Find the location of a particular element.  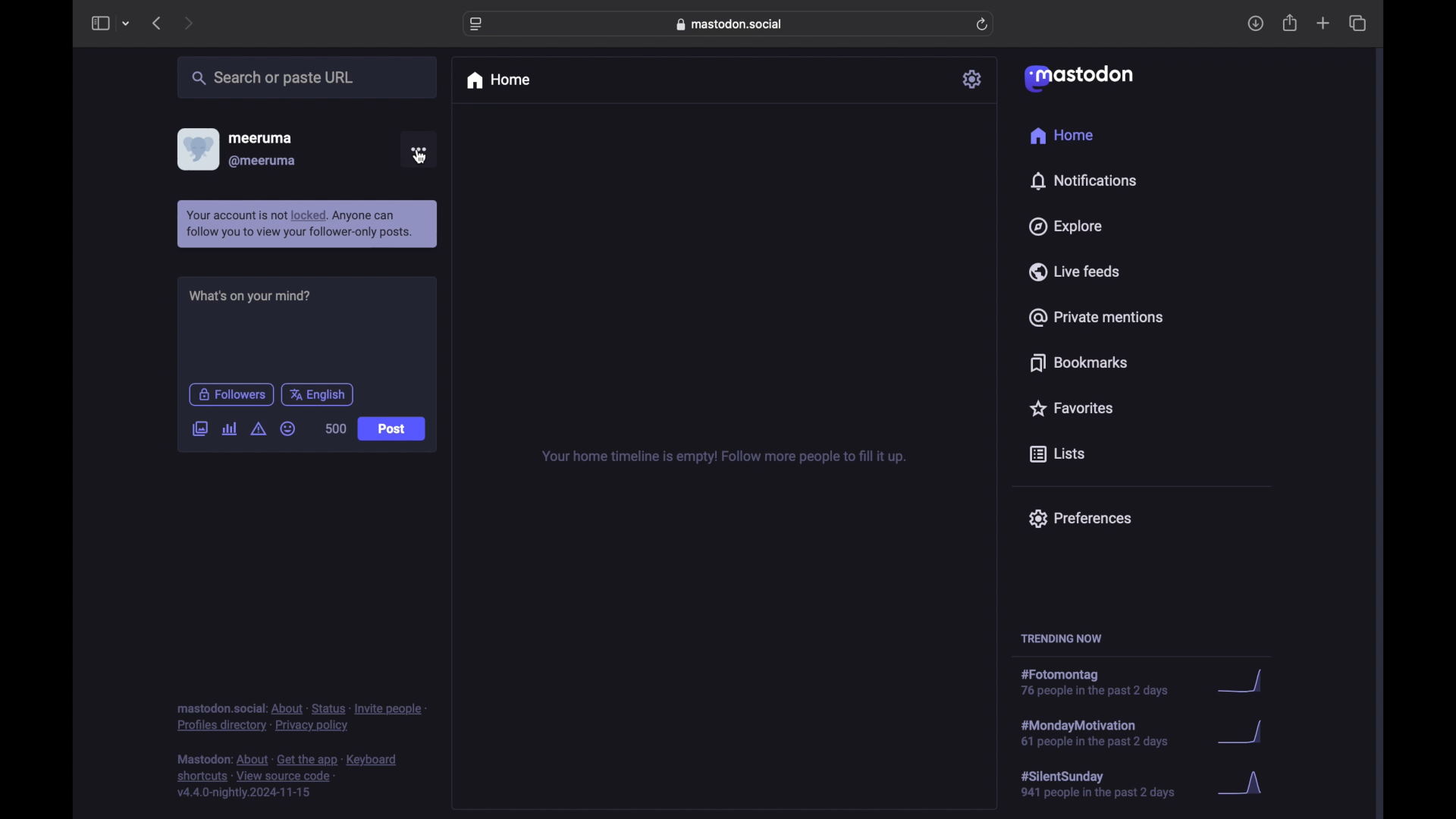

settings is located at coordinates (973, 79).